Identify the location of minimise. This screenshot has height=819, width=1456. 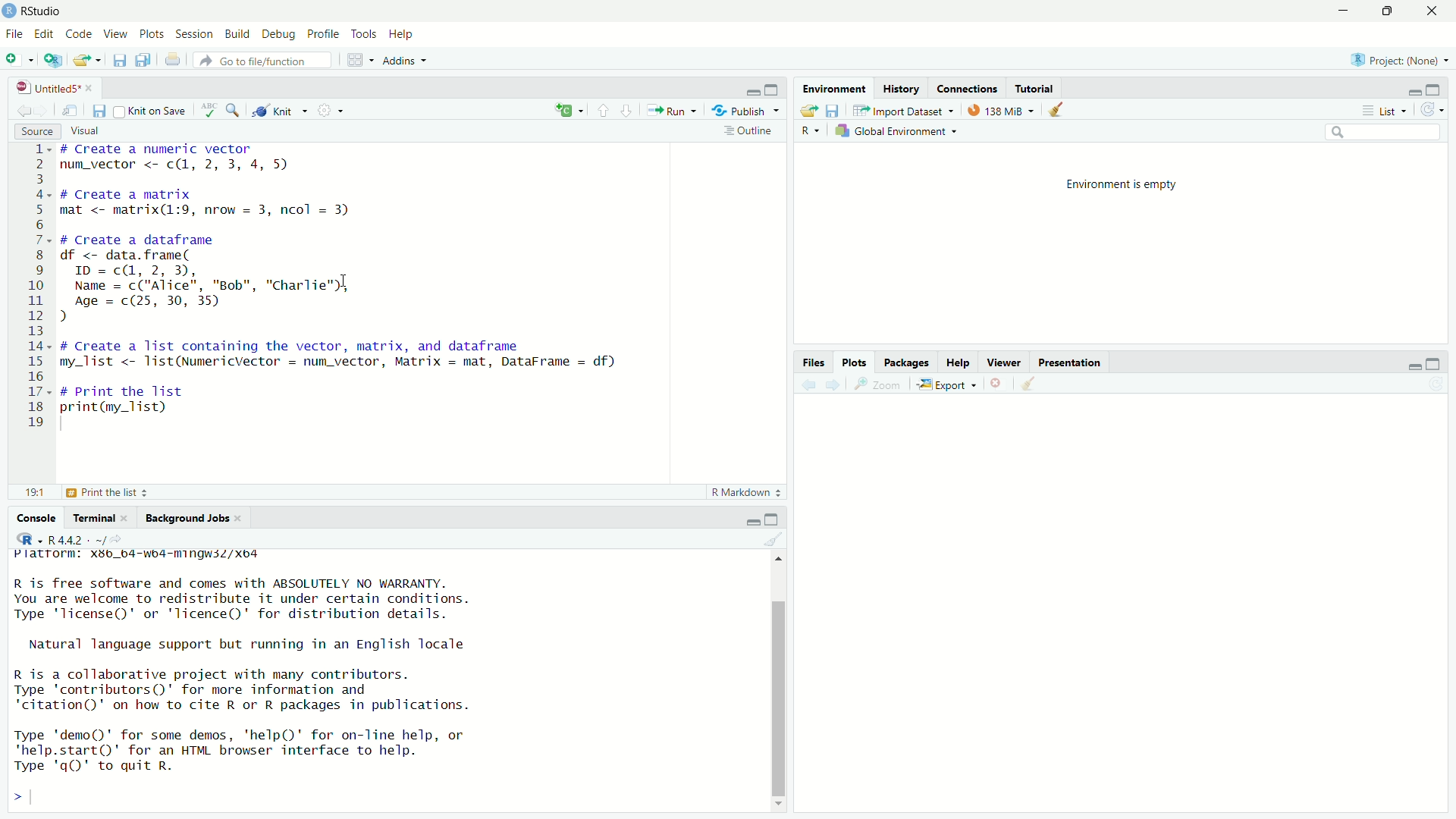
(1330, 14).